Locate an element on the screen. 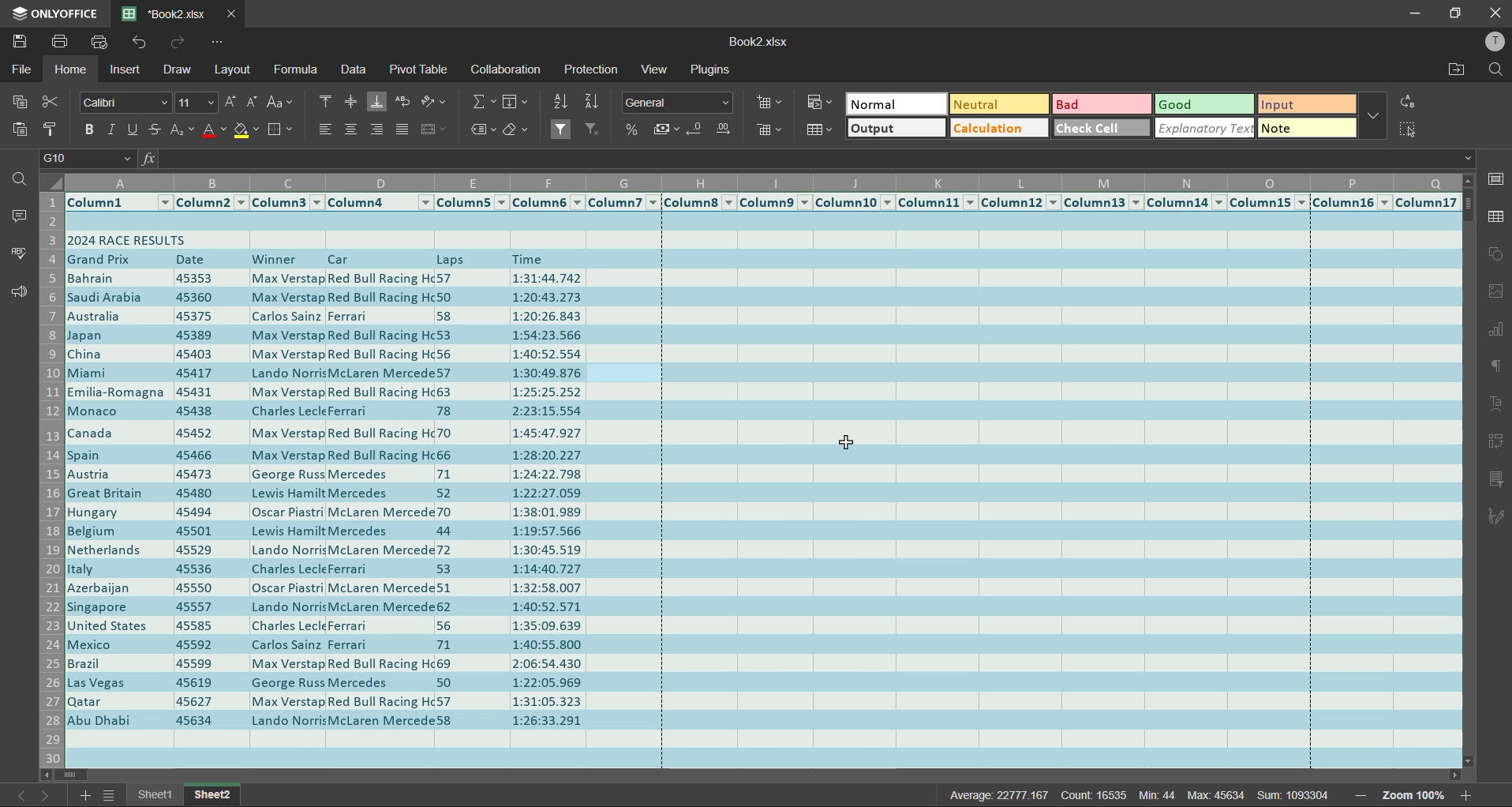 This screenshot has height=807, width=1512. sum is located at coordinates (1295, 796).